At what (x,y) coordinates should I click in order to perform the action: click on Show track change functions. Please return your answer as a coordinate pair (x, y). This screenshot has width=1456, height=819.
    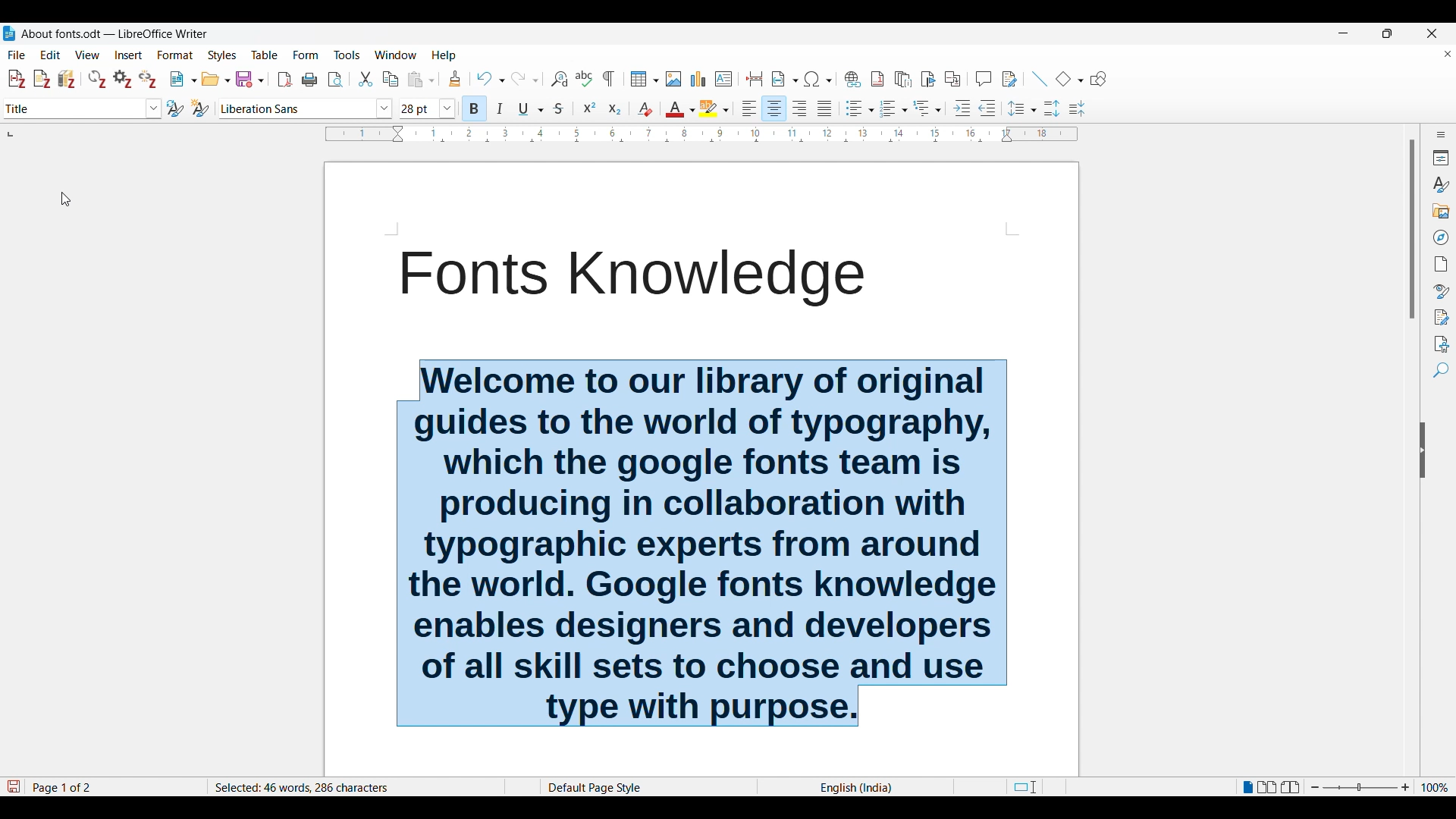
    Looking at the image, I should click on (1010, 80).